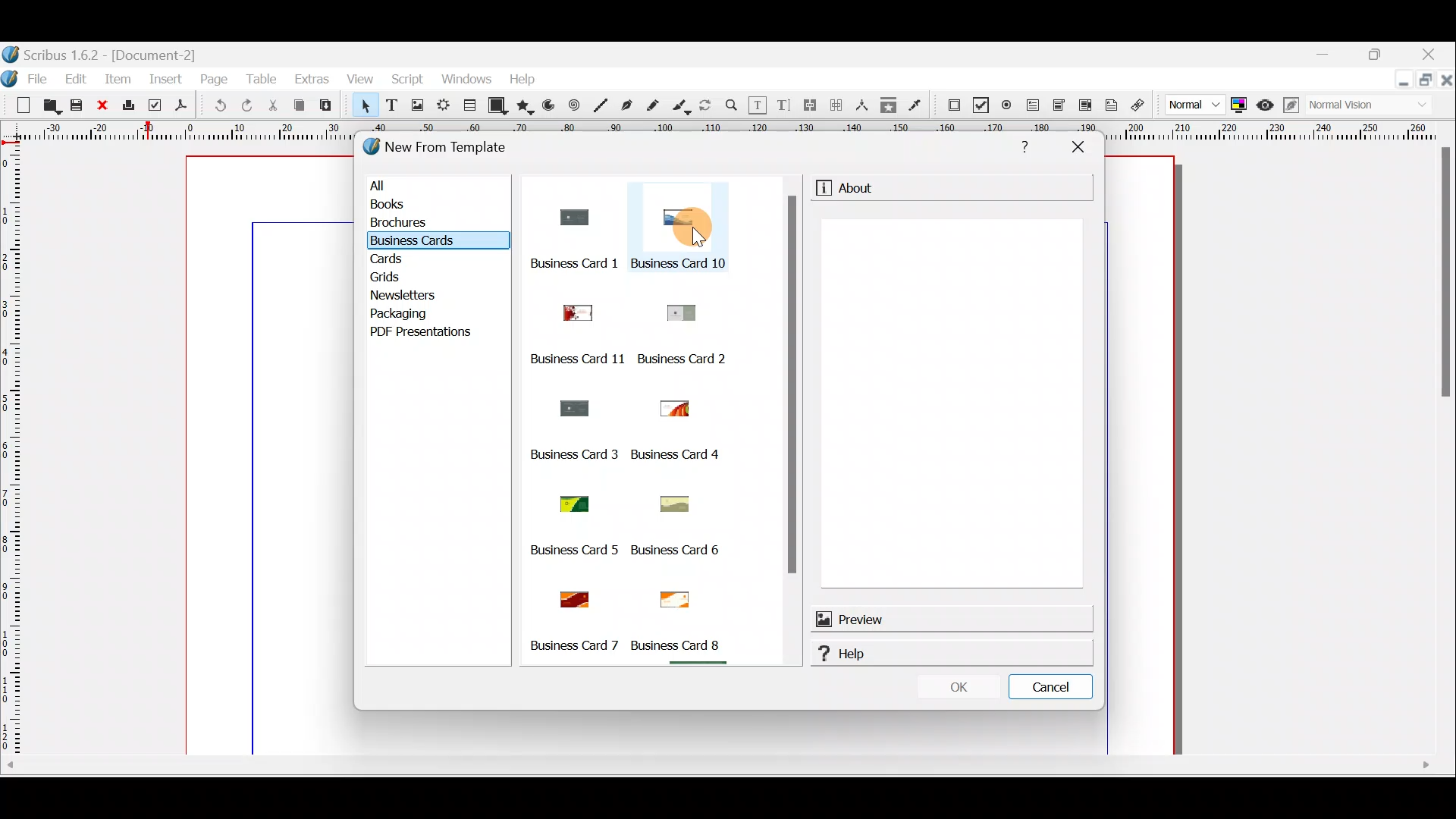 The image size is (1456, 819). What do you see at coordinates (570, 406) in the screenshot?
I see `Business card image` at bounding box center [570, 406].